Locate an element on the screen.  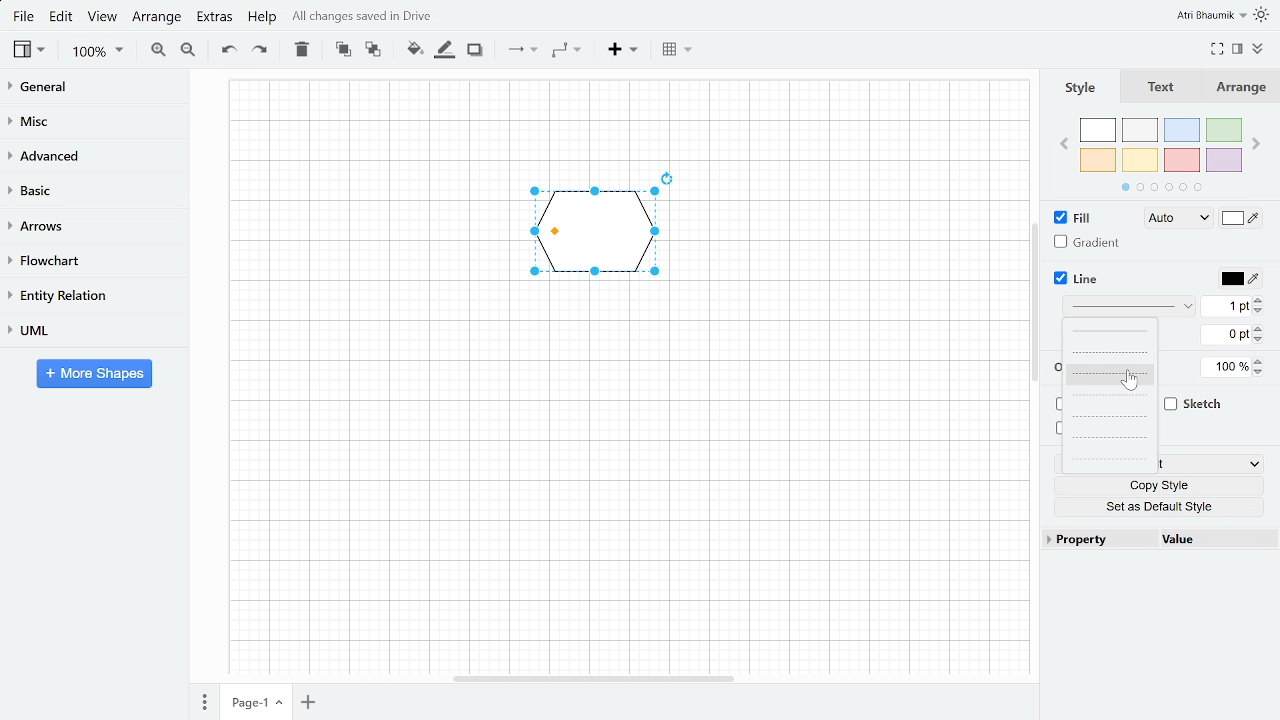
Fill colour is located at coordinates (414, 50).